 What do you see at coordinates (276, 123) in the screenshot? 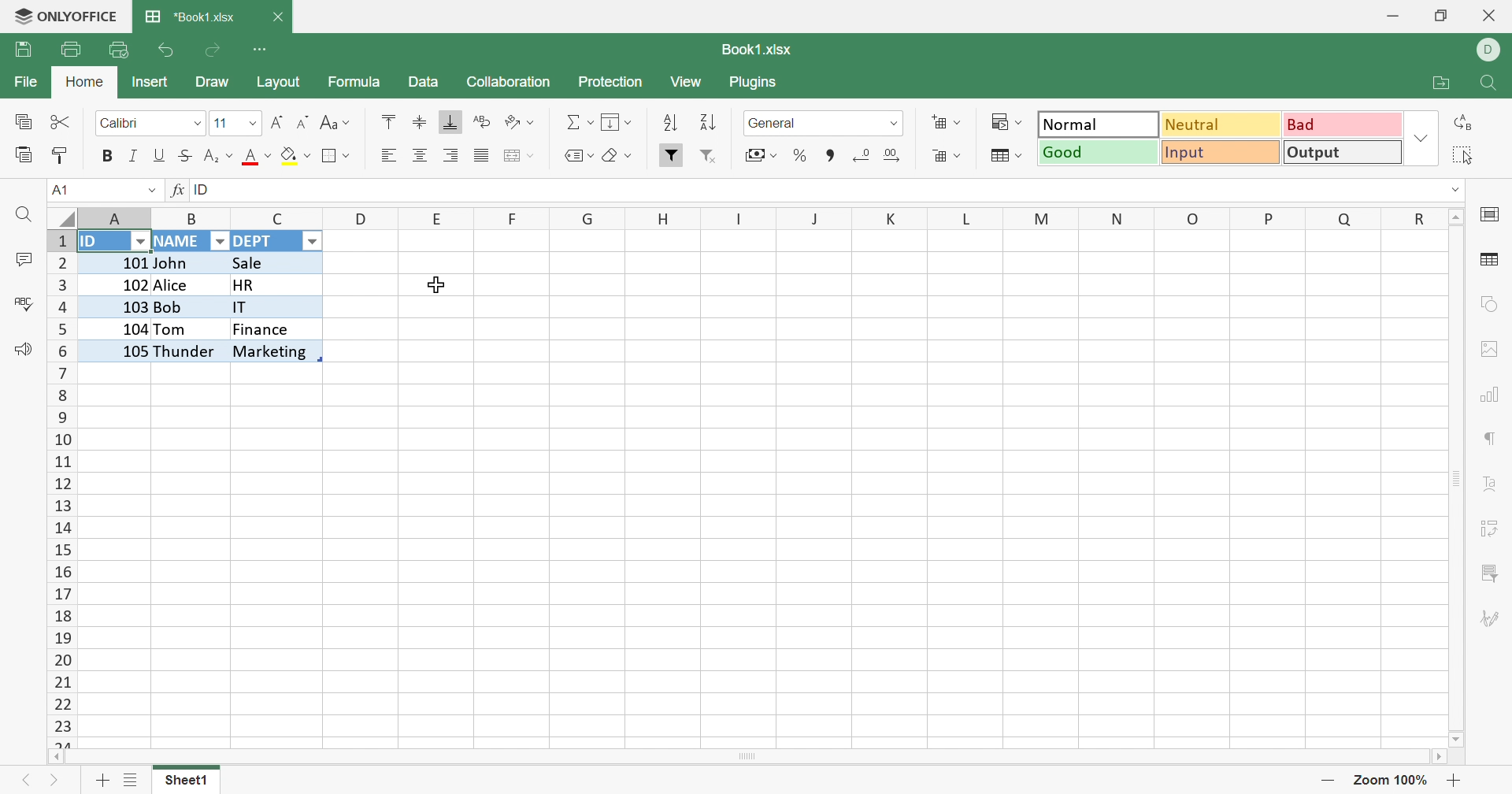
I see `Increment font size` at bounding box center [276, 123].